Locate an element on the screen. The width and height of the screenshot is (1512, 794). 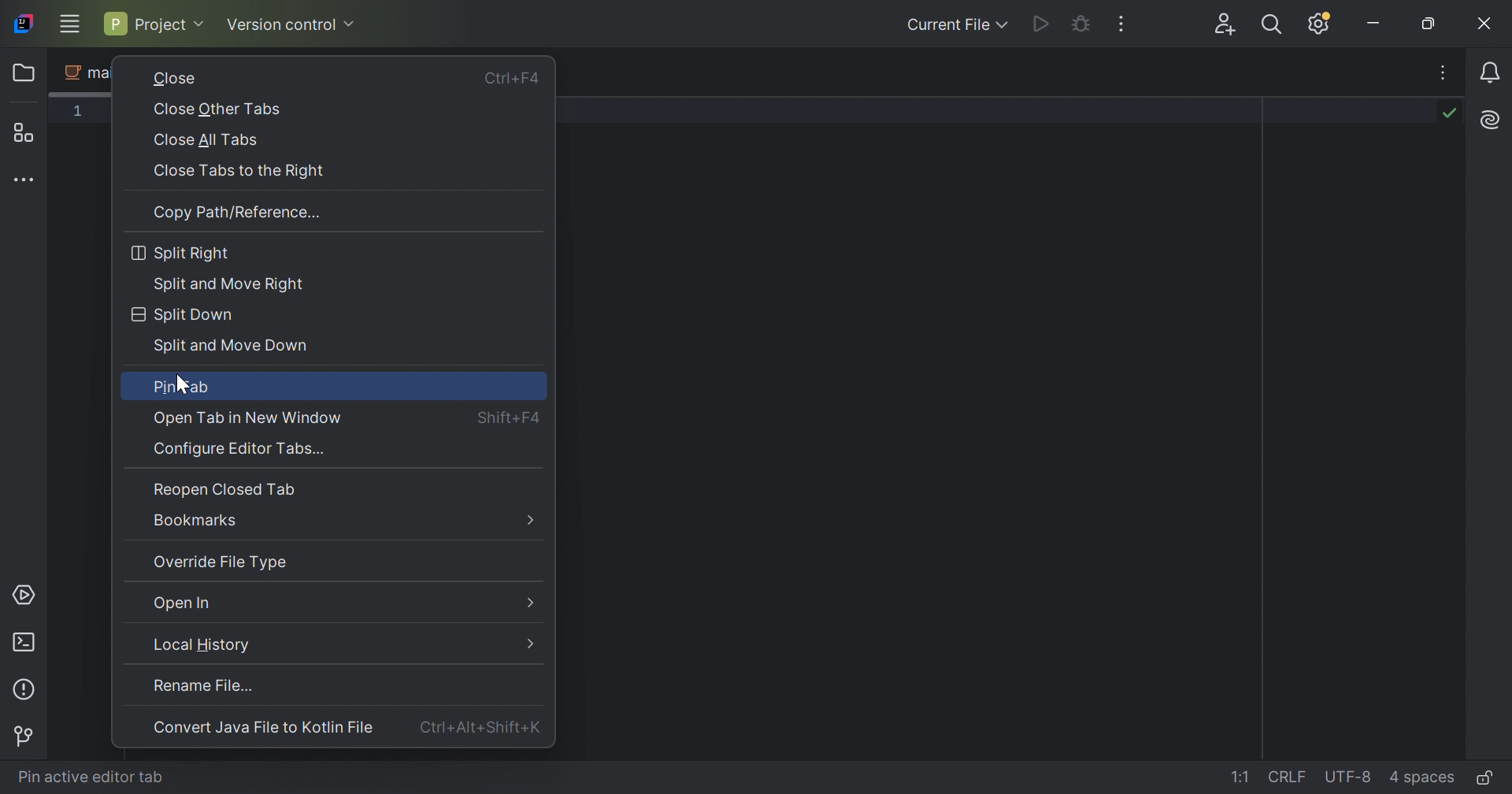
Folder icon is located at coordinates (26, 72).